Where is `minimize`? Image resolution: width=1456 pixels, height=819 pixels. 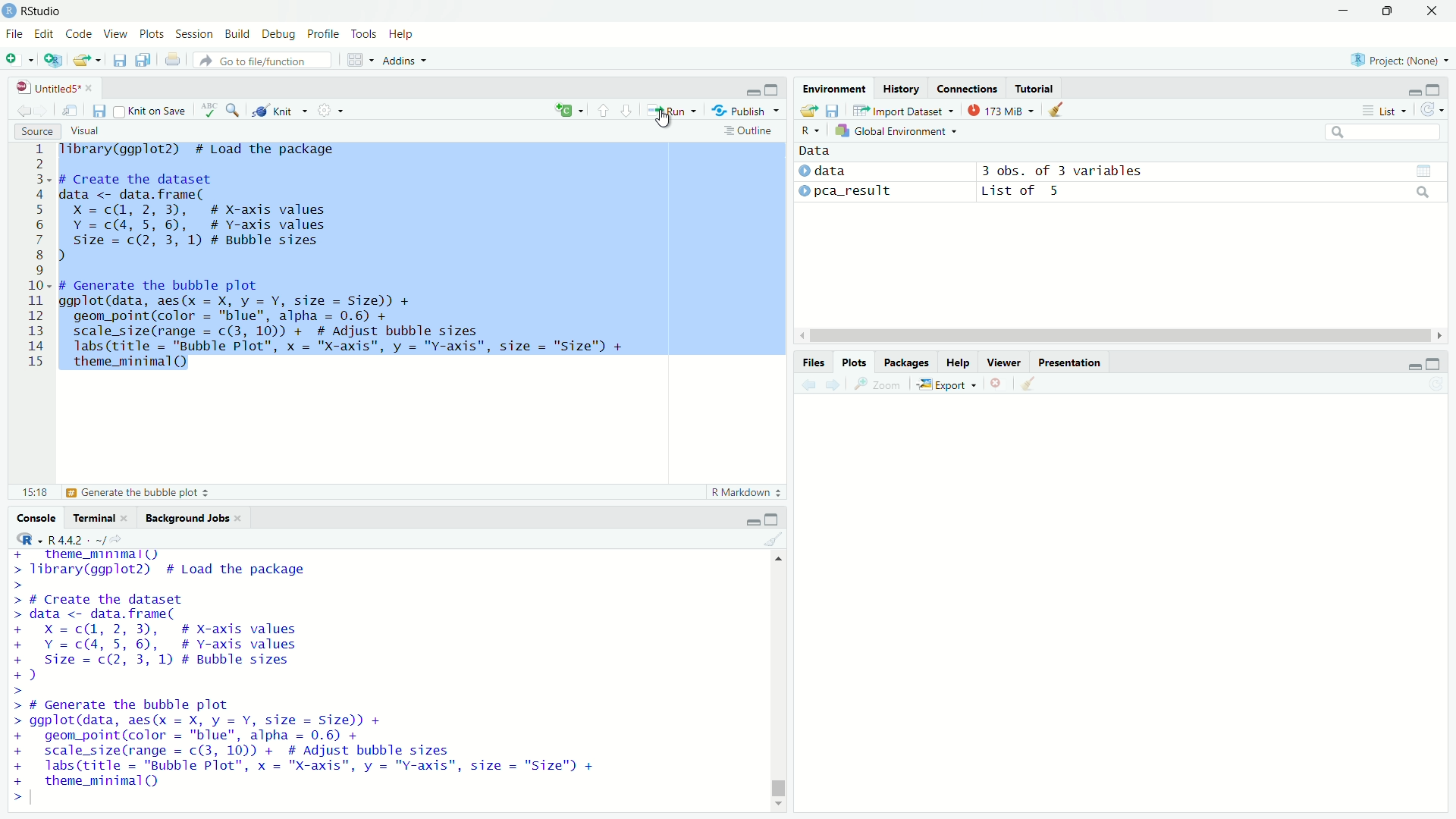 minimize is located at coordinates (752, 88).